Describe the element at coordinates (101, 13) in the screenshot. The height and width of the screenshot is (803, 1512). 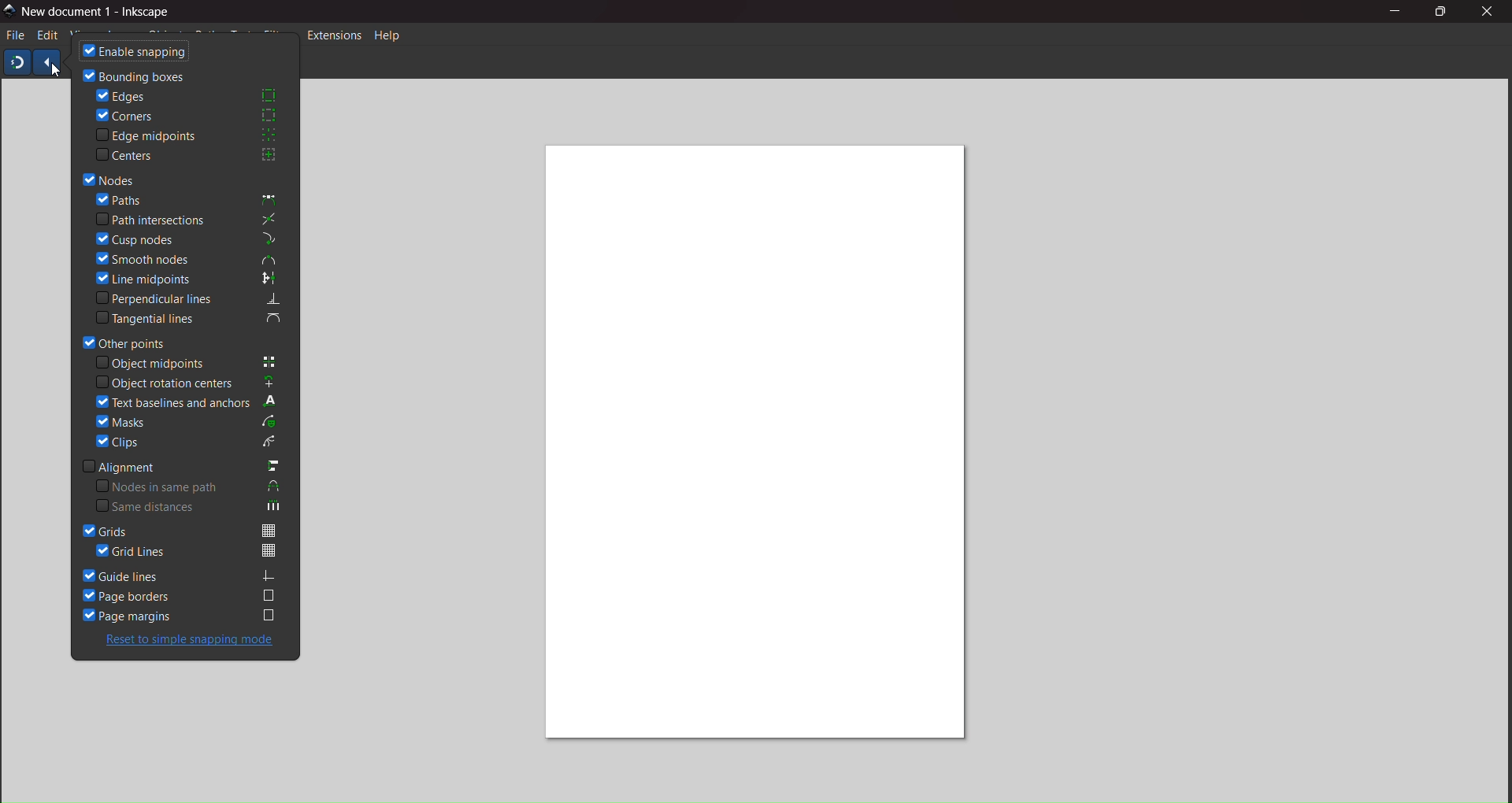
I see `Title` at that location.